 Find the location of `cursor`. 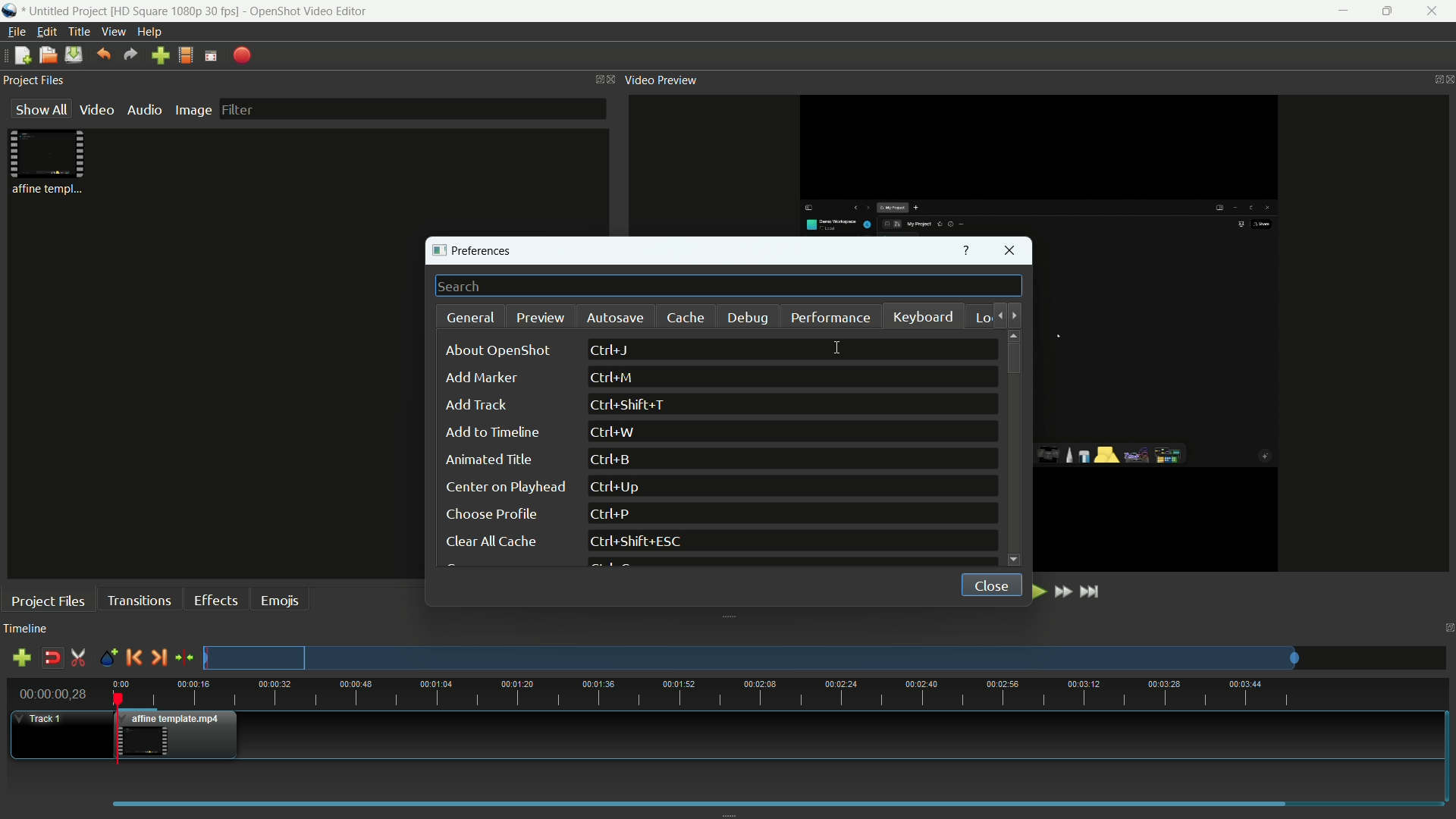

cursor is located at coordinates (839, 348).